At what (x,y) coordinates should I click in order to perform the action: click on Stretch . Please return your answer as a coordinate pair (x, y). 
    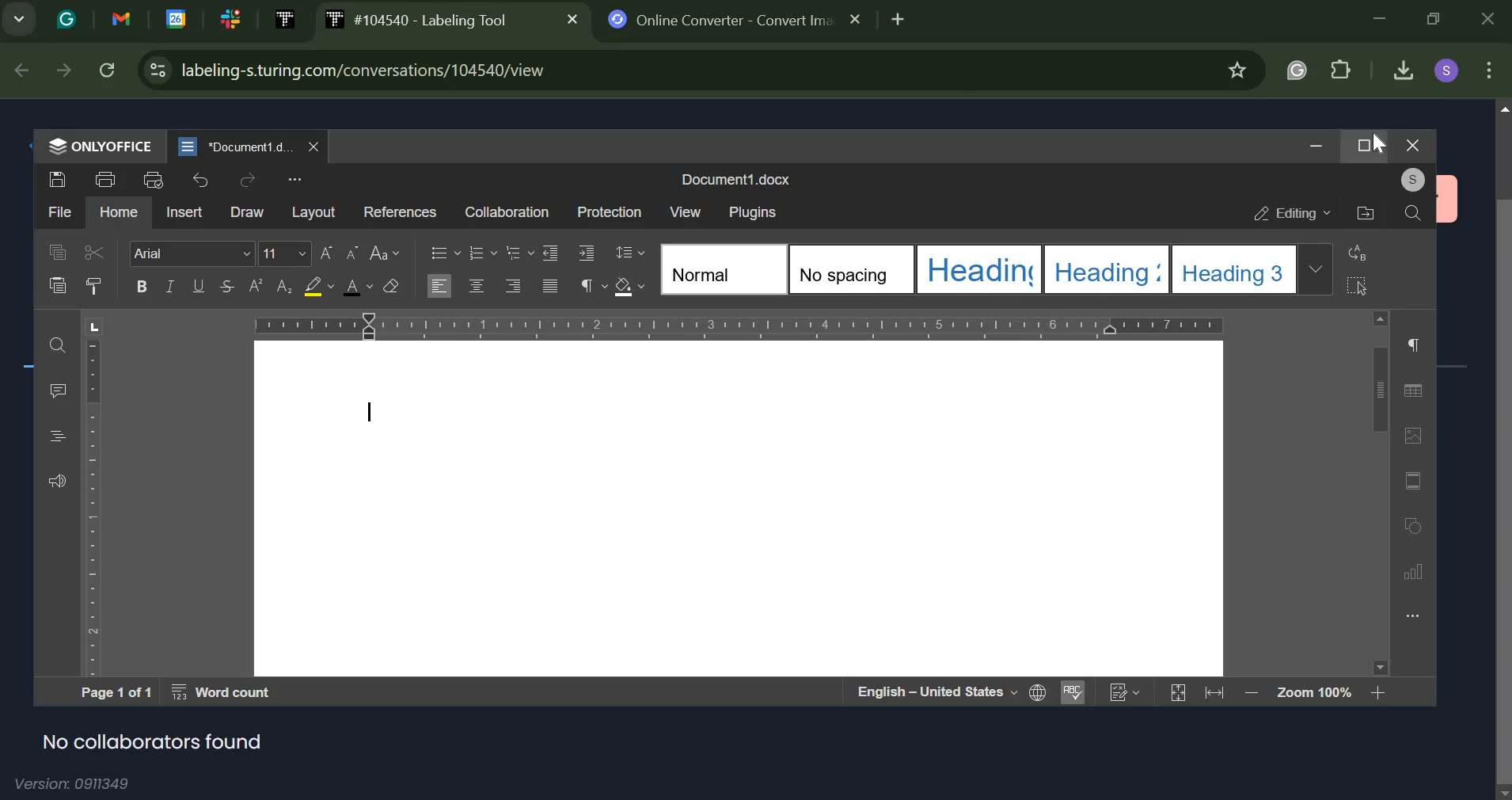
    Looking at the image, I should click on (1214, 693).